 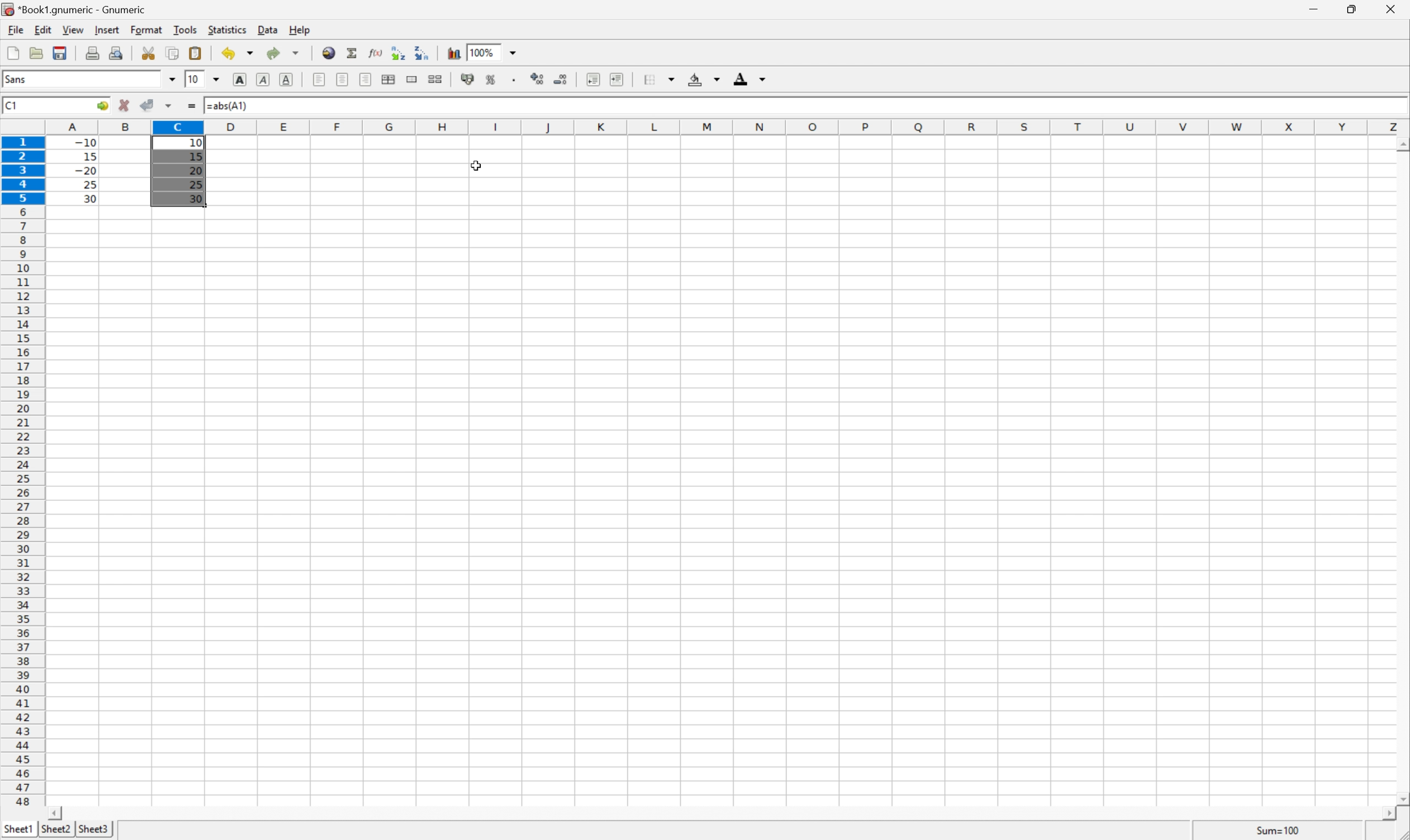 I want to click on Cut the selection, so click(x=151, y=53).